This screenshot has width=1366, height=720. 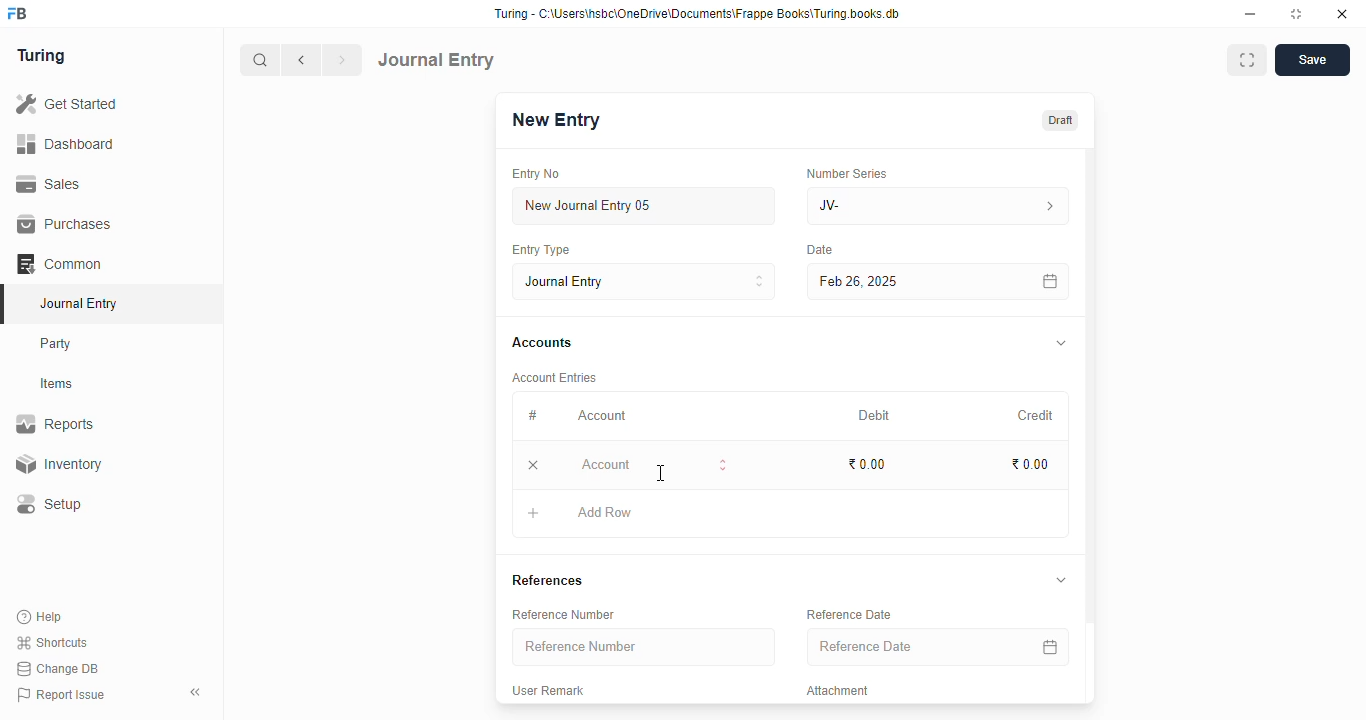 I want to click on new journal entry 05, so click(x=645, y=207).